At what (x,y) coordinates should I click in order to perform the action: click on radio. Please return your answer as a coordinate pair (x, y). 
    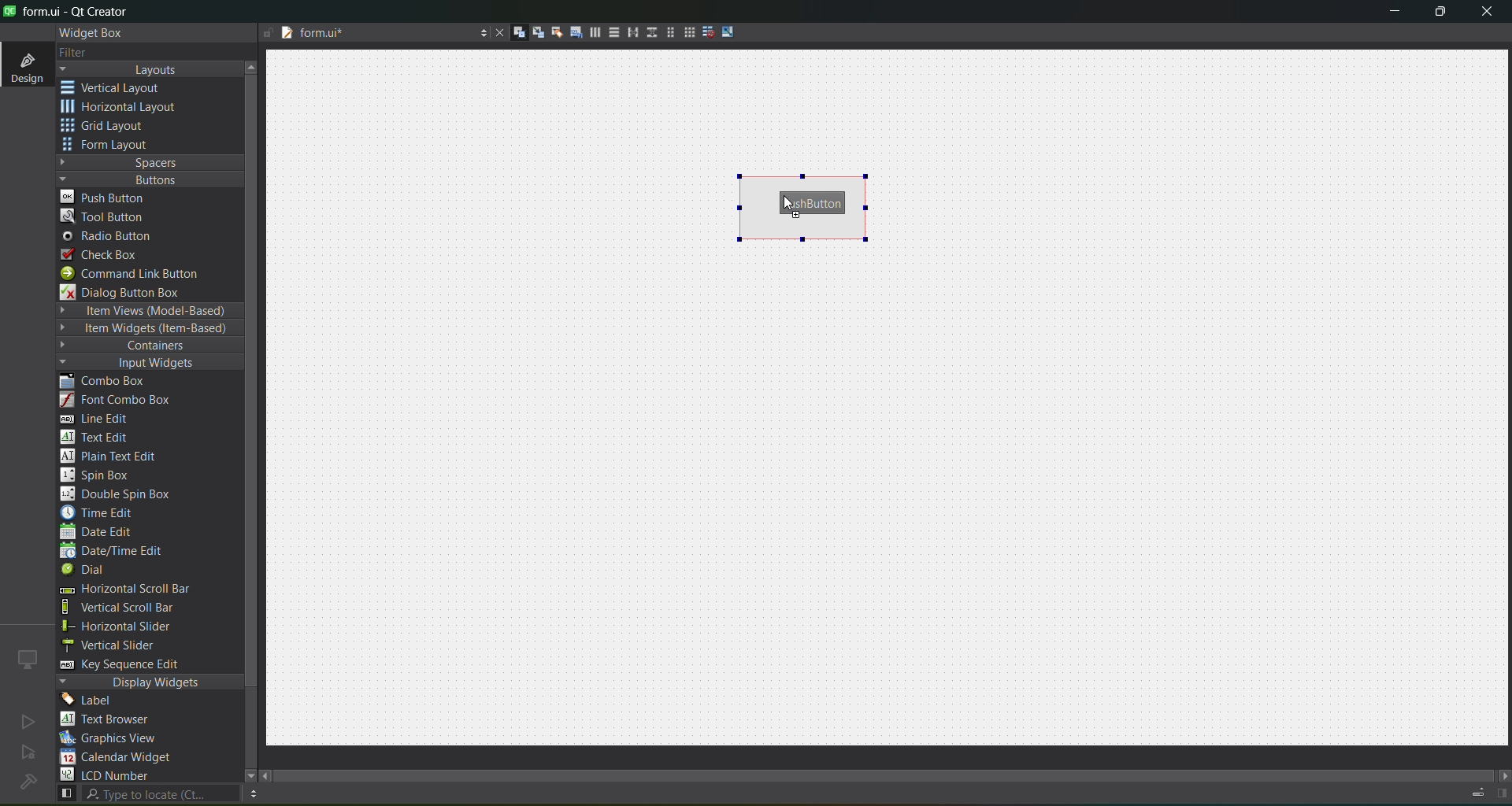
    Looking at the image, I should click on (112, 237).